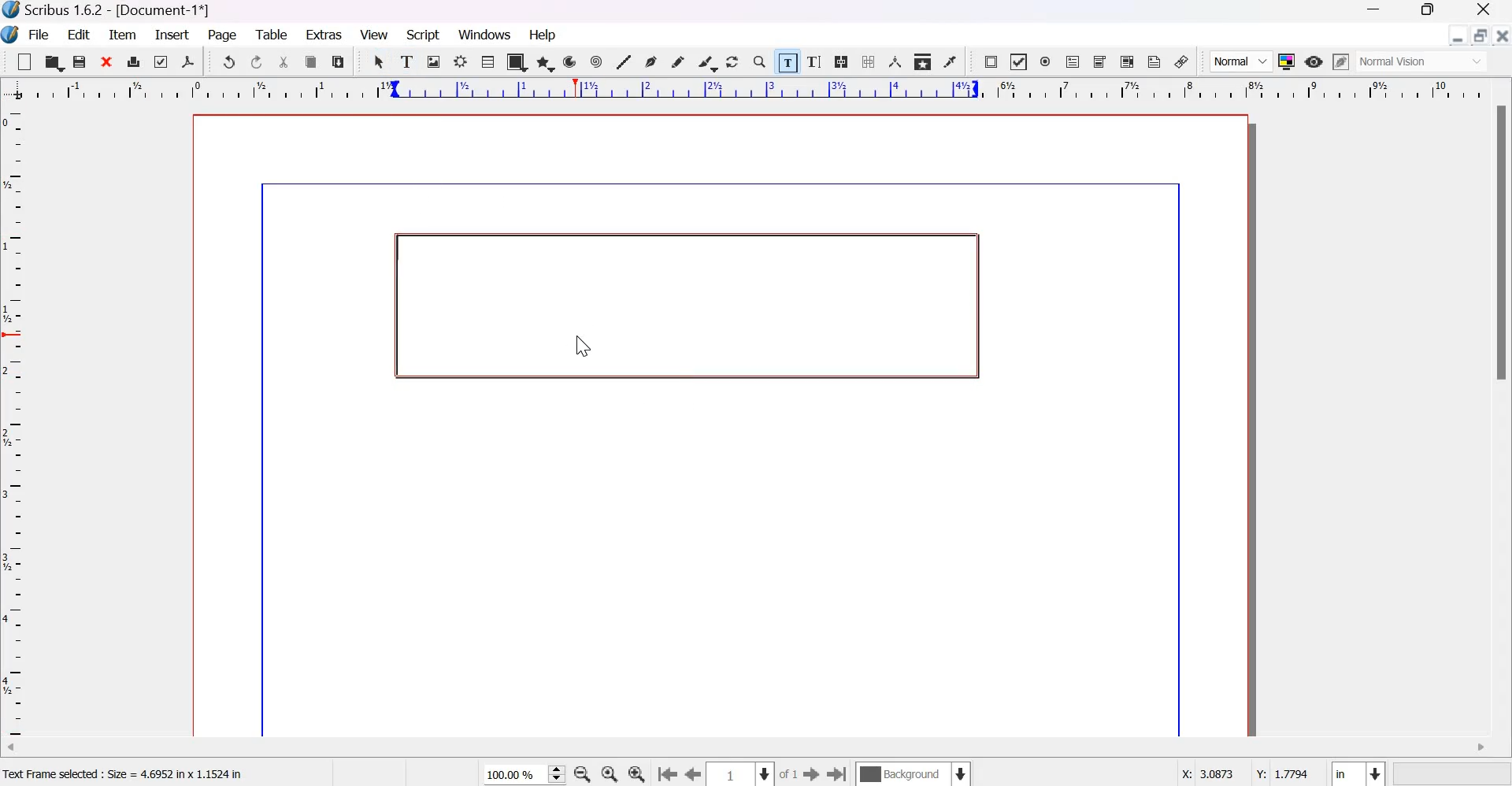 This screenshot has height=786, width=1512. Describe the element at coordinates (754, 90) in the screenshot. I see `Horizontal scale` at that location.